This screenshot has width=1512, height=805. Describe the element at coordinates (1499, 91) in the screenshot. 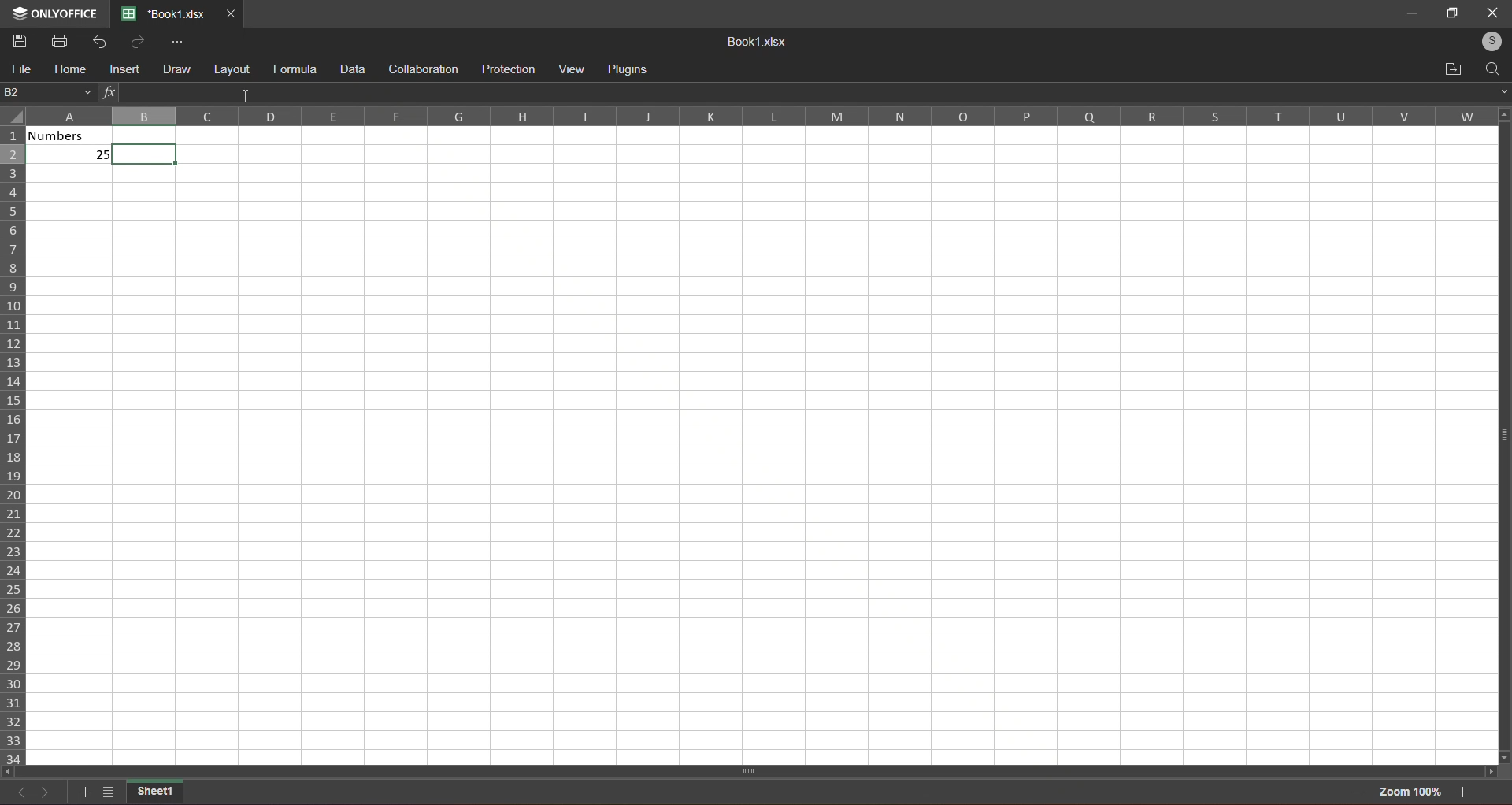

I see `expand` at that location.